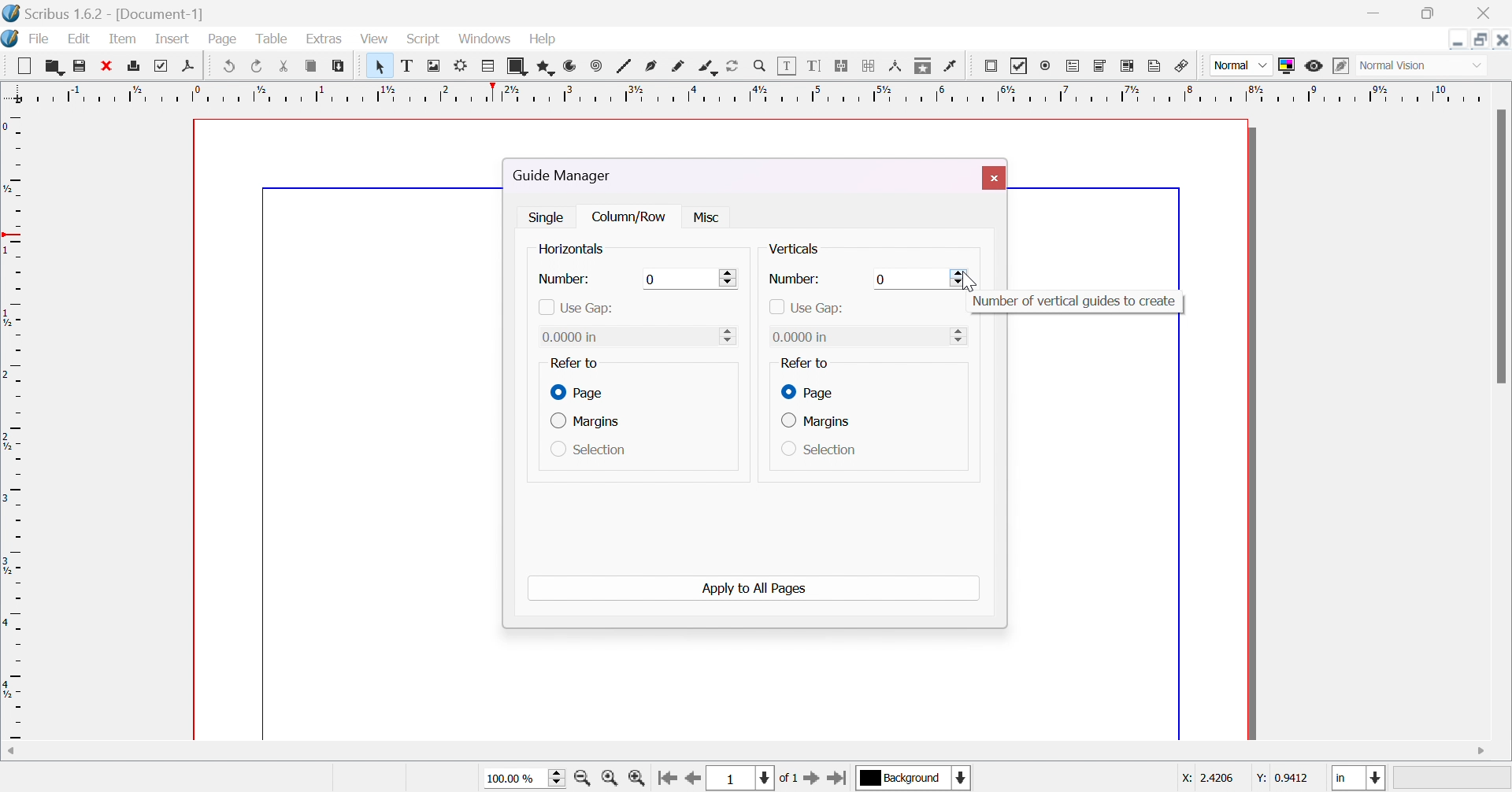  Describe the element at coordinates (708, 67) in the screenshot. I see `calligraphic line` at that location.